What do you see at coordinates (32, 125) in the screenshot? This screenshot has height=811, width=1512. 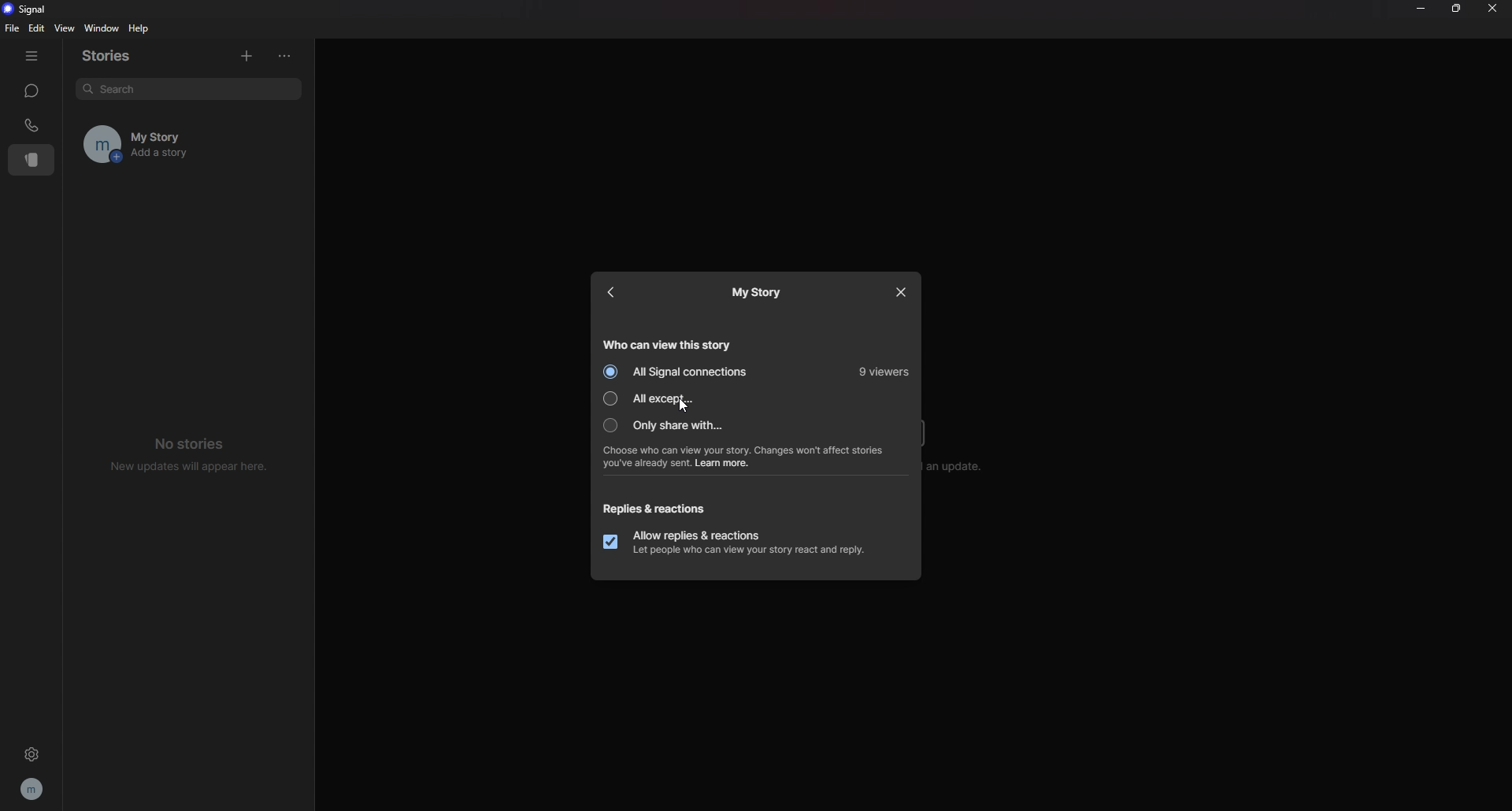 I see `calls` at bounding box center [32, 125].